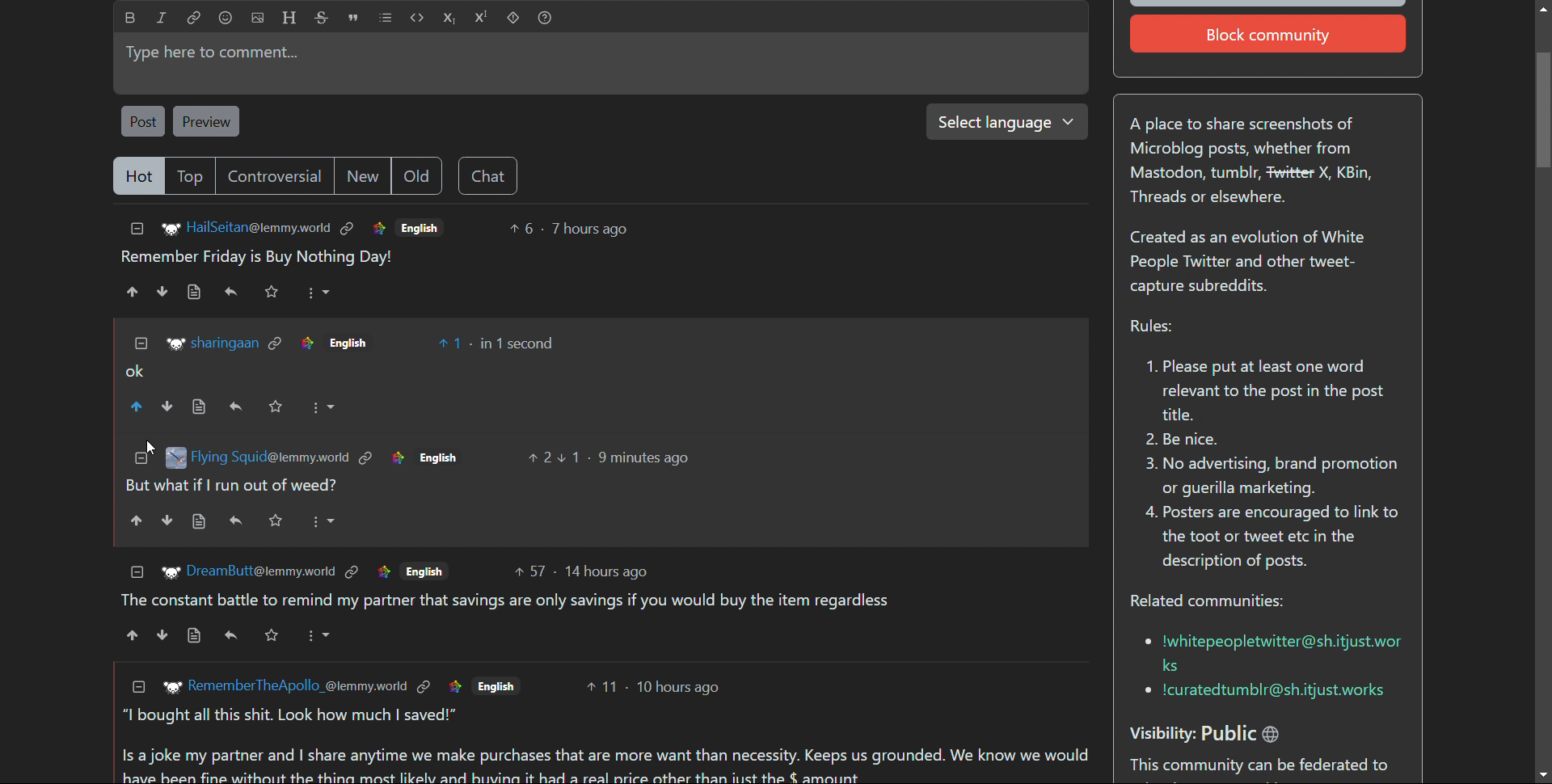 The height and width of the screenshot is (784, 1552). What do you see at coordinates (513, 19) in the screenshot?
I see `spoiler` at bounding box center [513, 19].